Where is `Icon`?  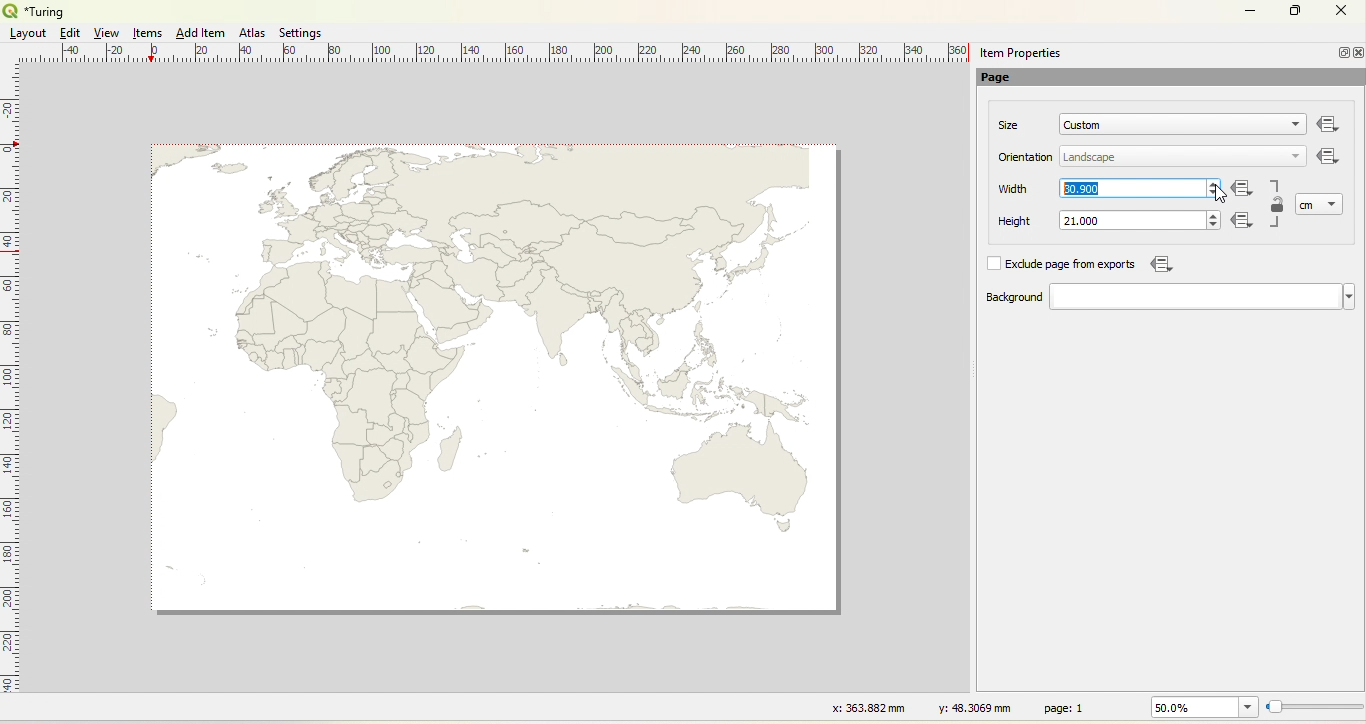 Icon is located at coordinates (1246, 222).